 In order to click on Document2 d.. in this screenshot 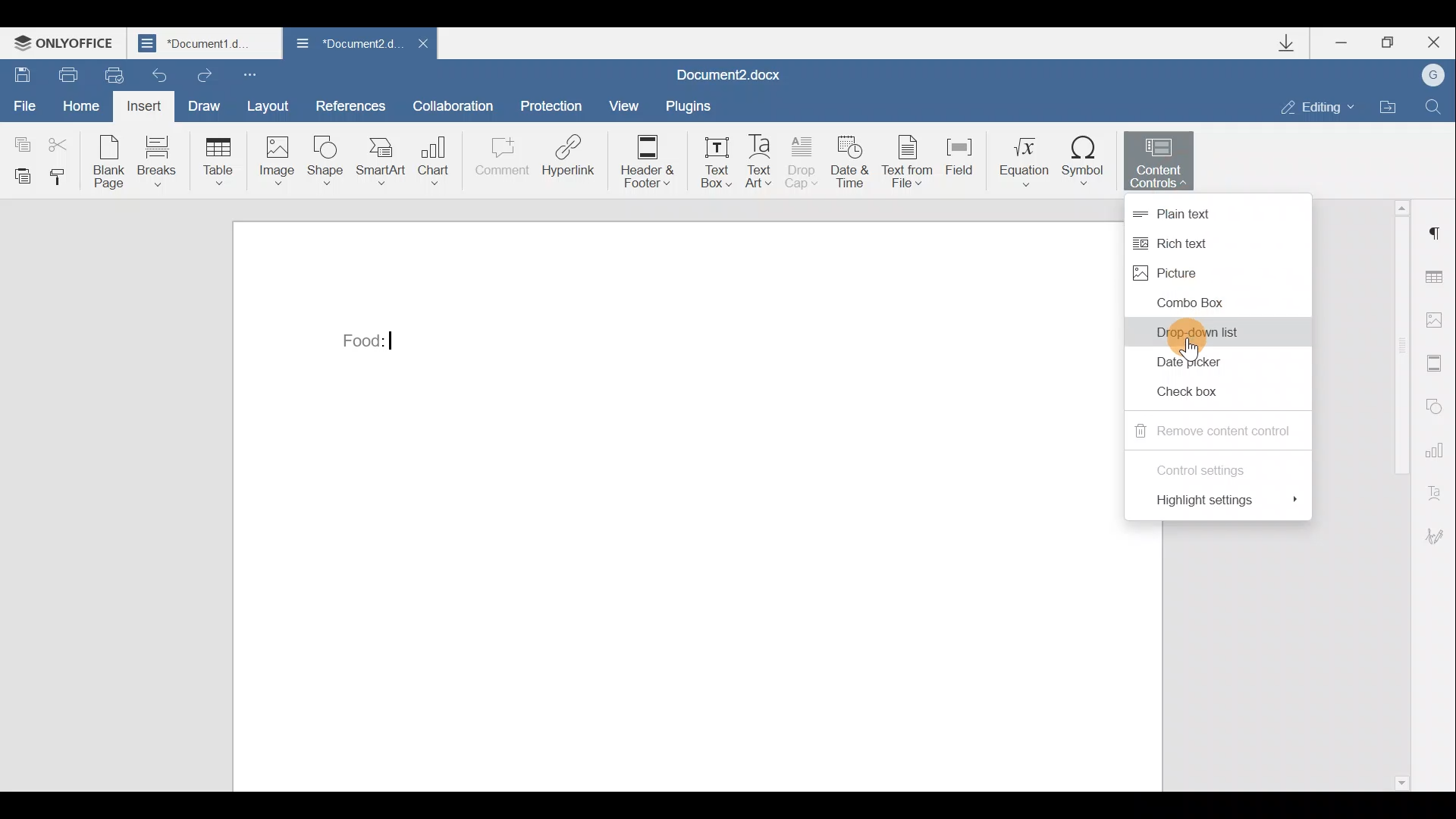, I will do `click(347, 46)`.